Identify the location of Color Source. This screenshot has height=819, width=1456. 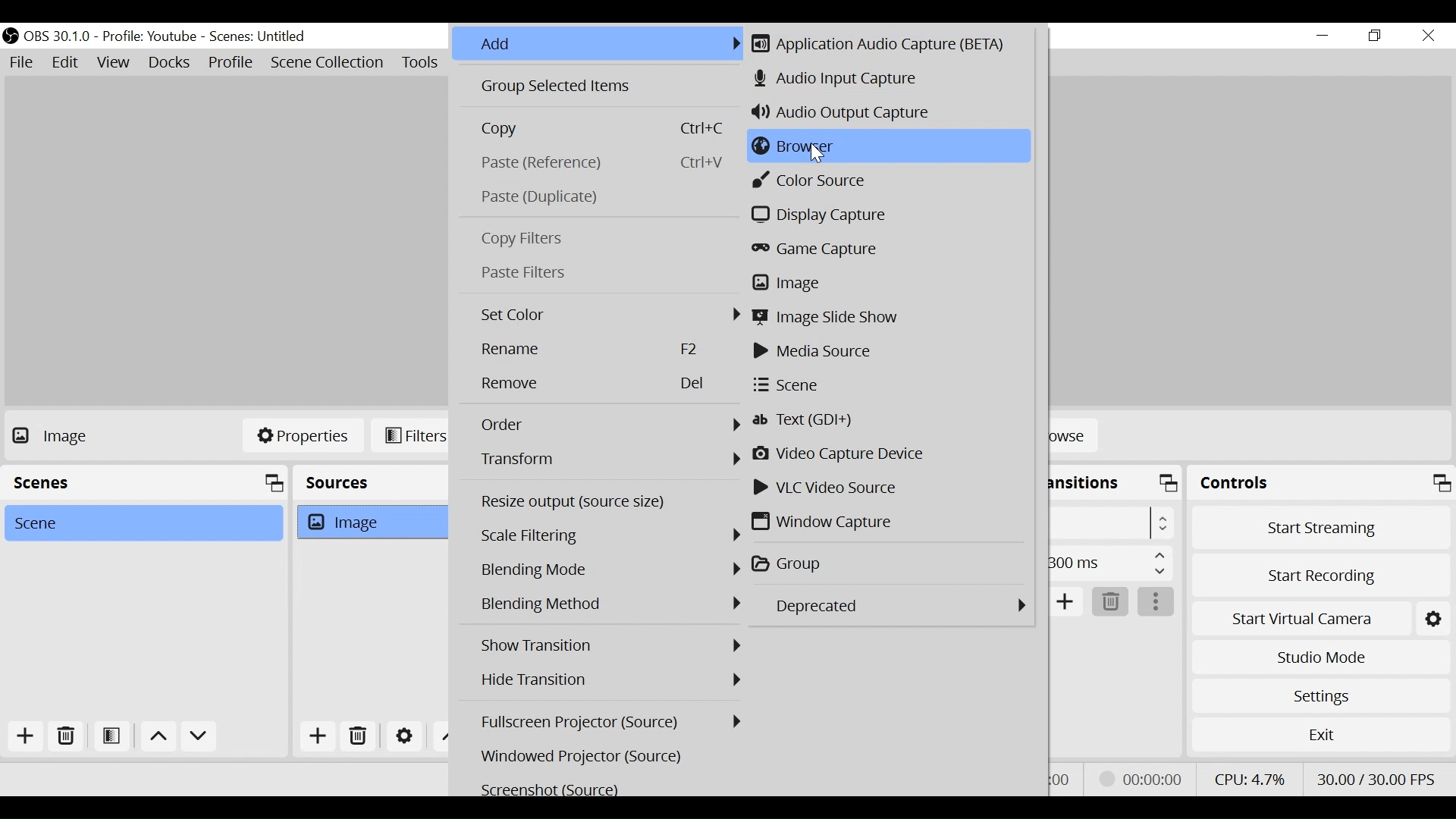
(890, 184).